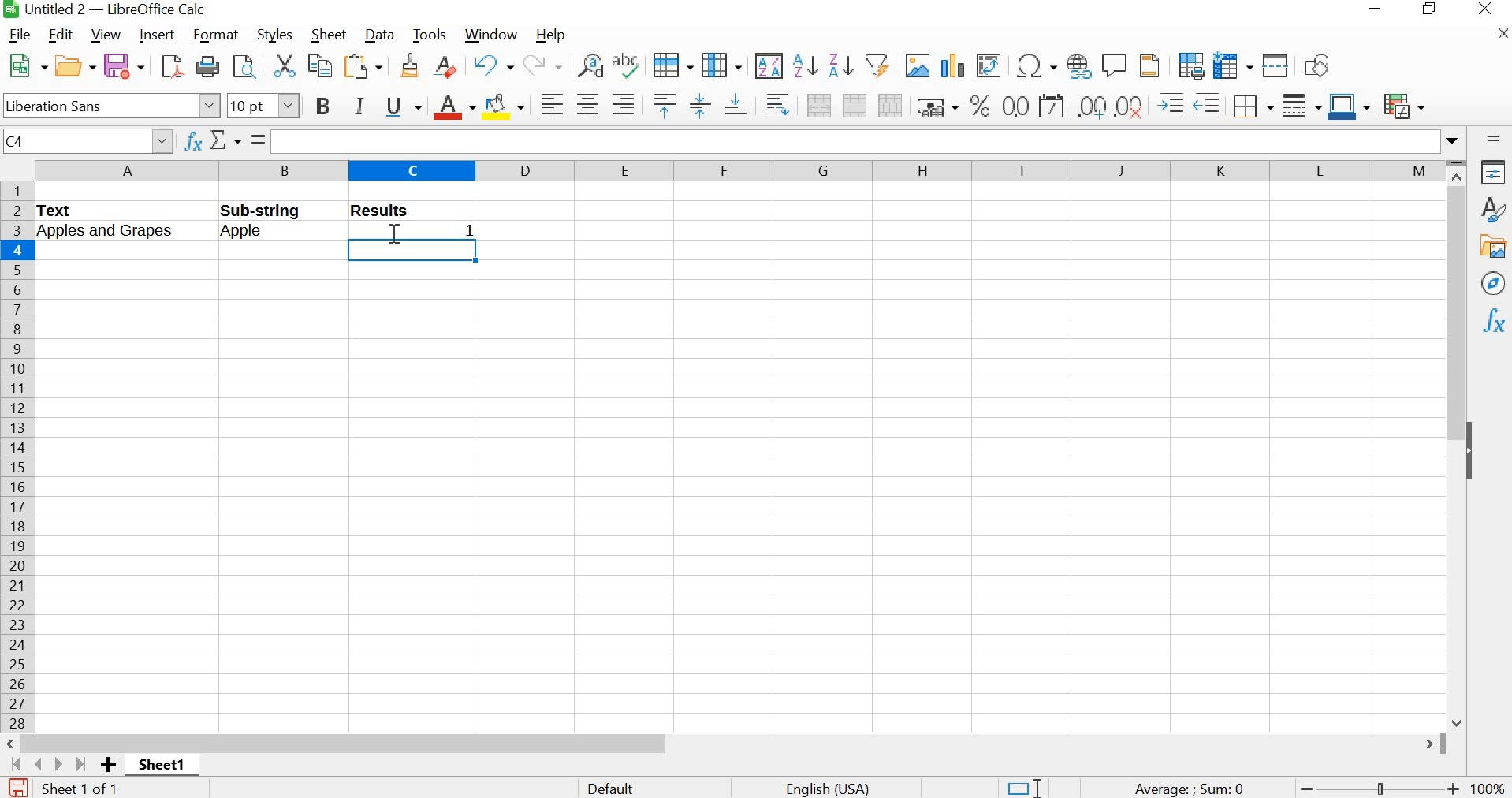 The image size is (1512, 798). What do you see at coordinates (492, 65) in the screenshot?
I see `undo` at bounding box center [492, 65].